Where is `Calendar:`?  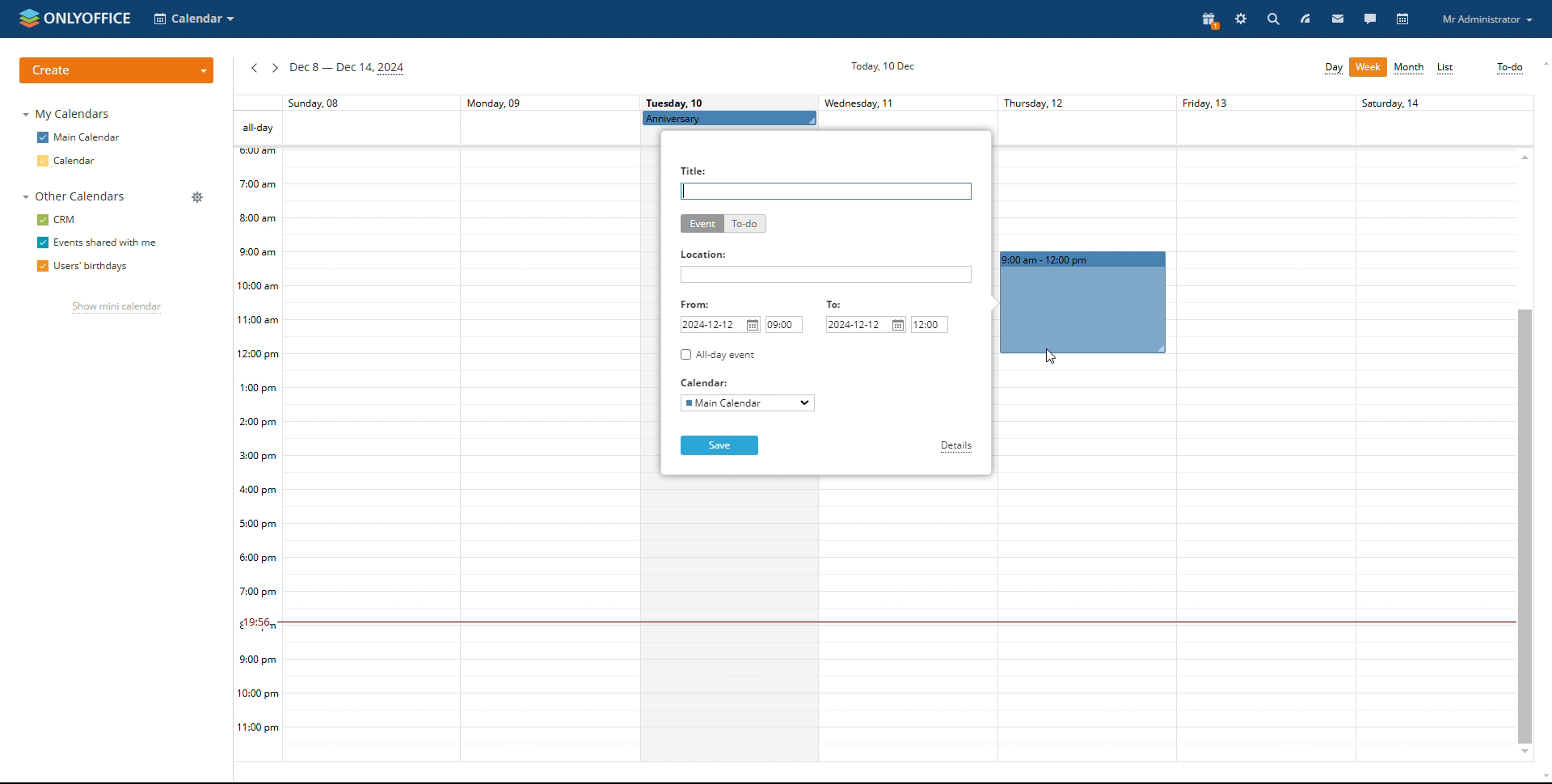
Calendar: is located at coordinates (706, 384).